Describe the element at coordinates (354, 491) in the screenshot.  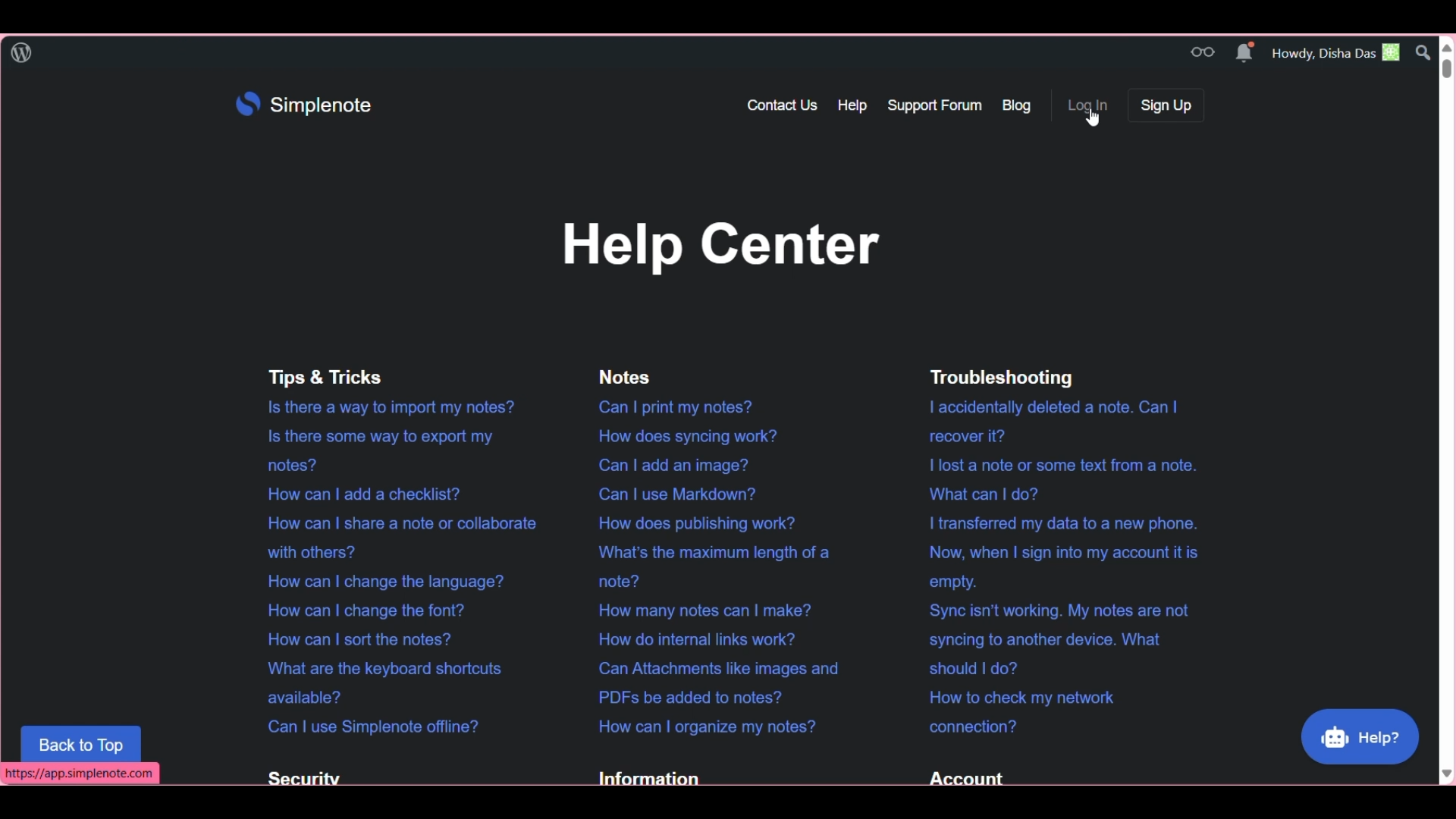
I see `How can | add a checklist?` at that location.